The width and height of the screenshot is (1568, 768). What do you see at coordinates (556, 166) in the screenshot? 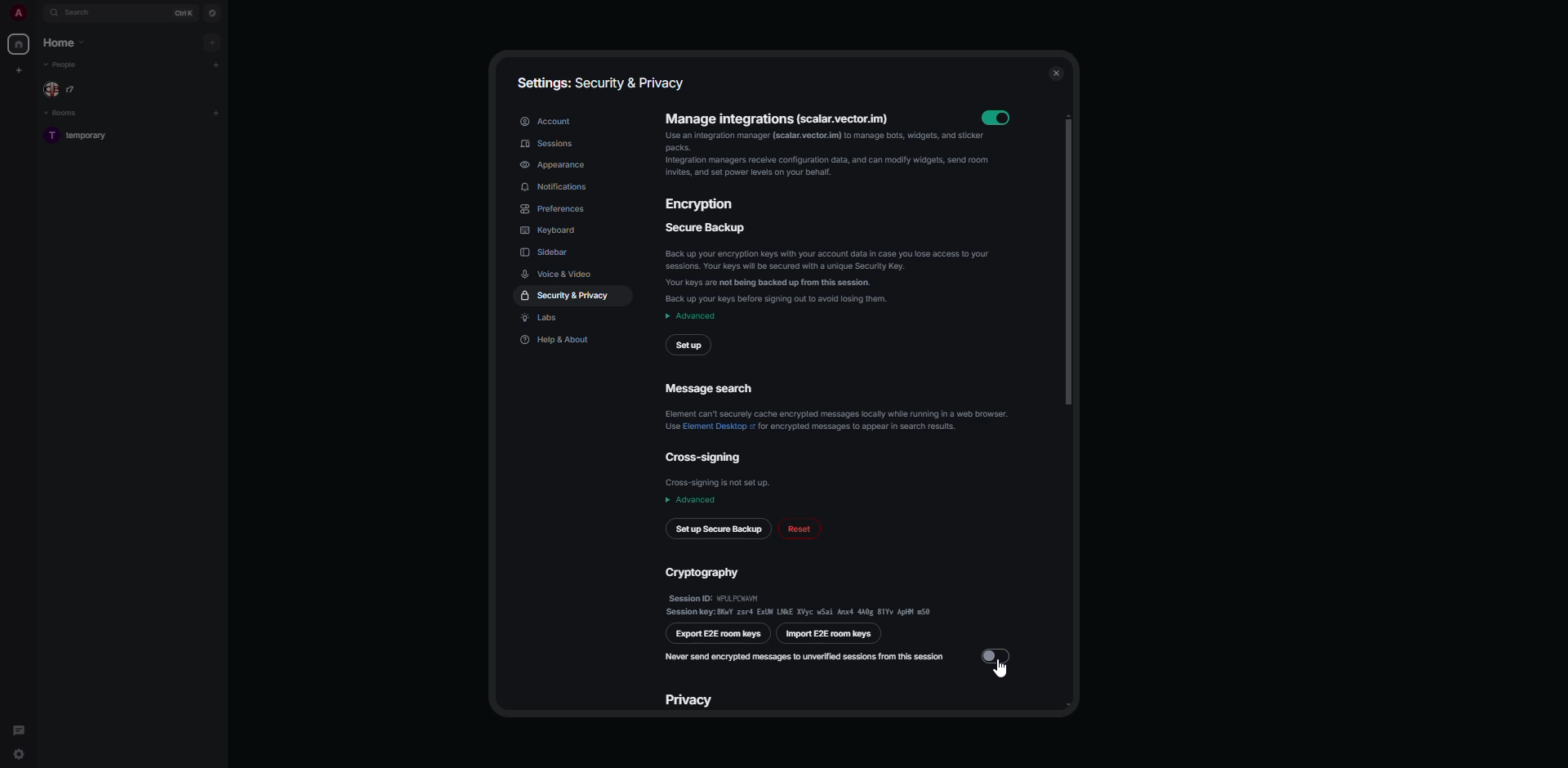
I see `appearance` at bounding box center [556, 166].